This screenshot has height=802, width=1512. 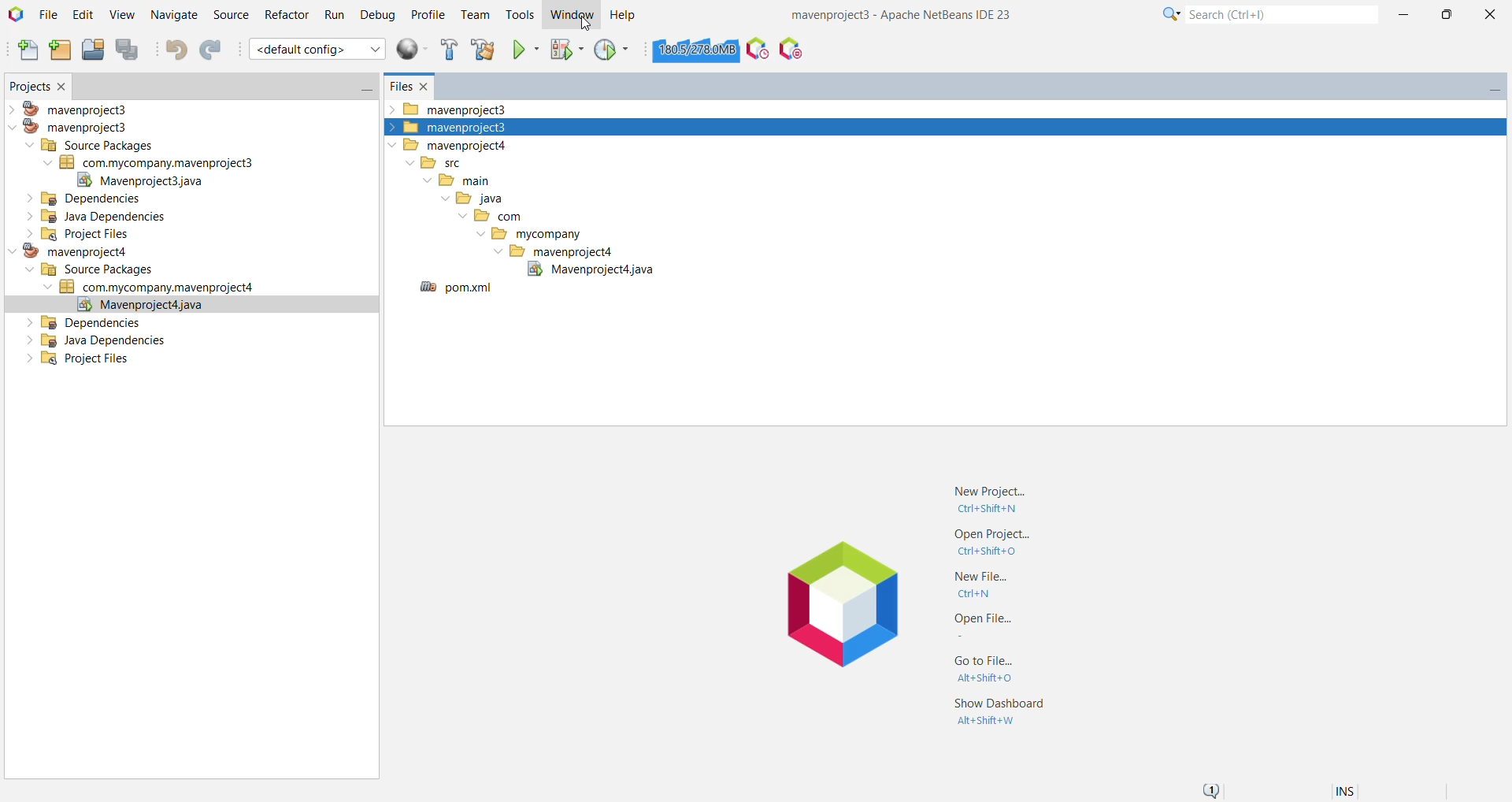 I want to click on Project Files, so click(x=72, y=362).